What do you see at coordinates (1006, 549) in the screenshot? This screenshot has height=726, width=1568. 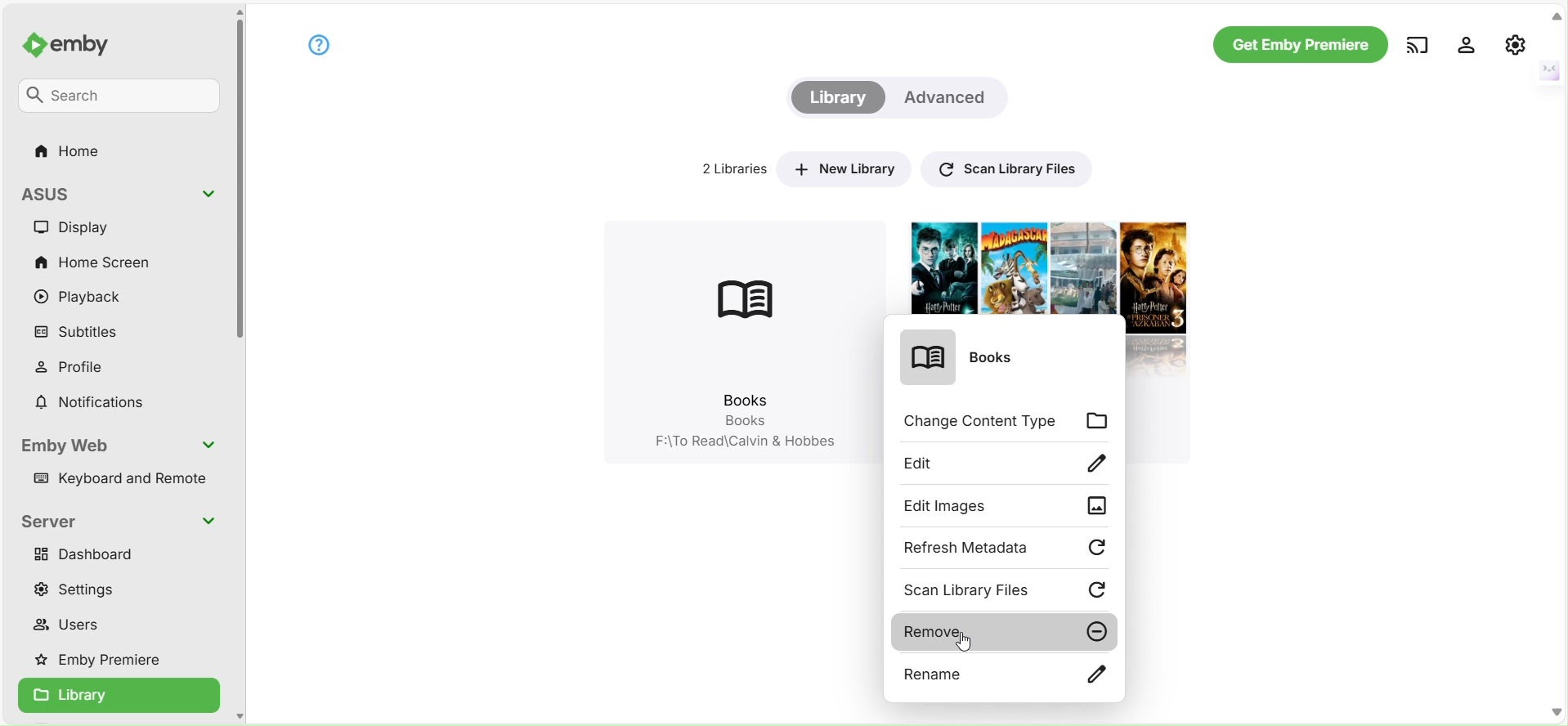 I see `Refresh Metadata` at bounding box center [1006, 549].